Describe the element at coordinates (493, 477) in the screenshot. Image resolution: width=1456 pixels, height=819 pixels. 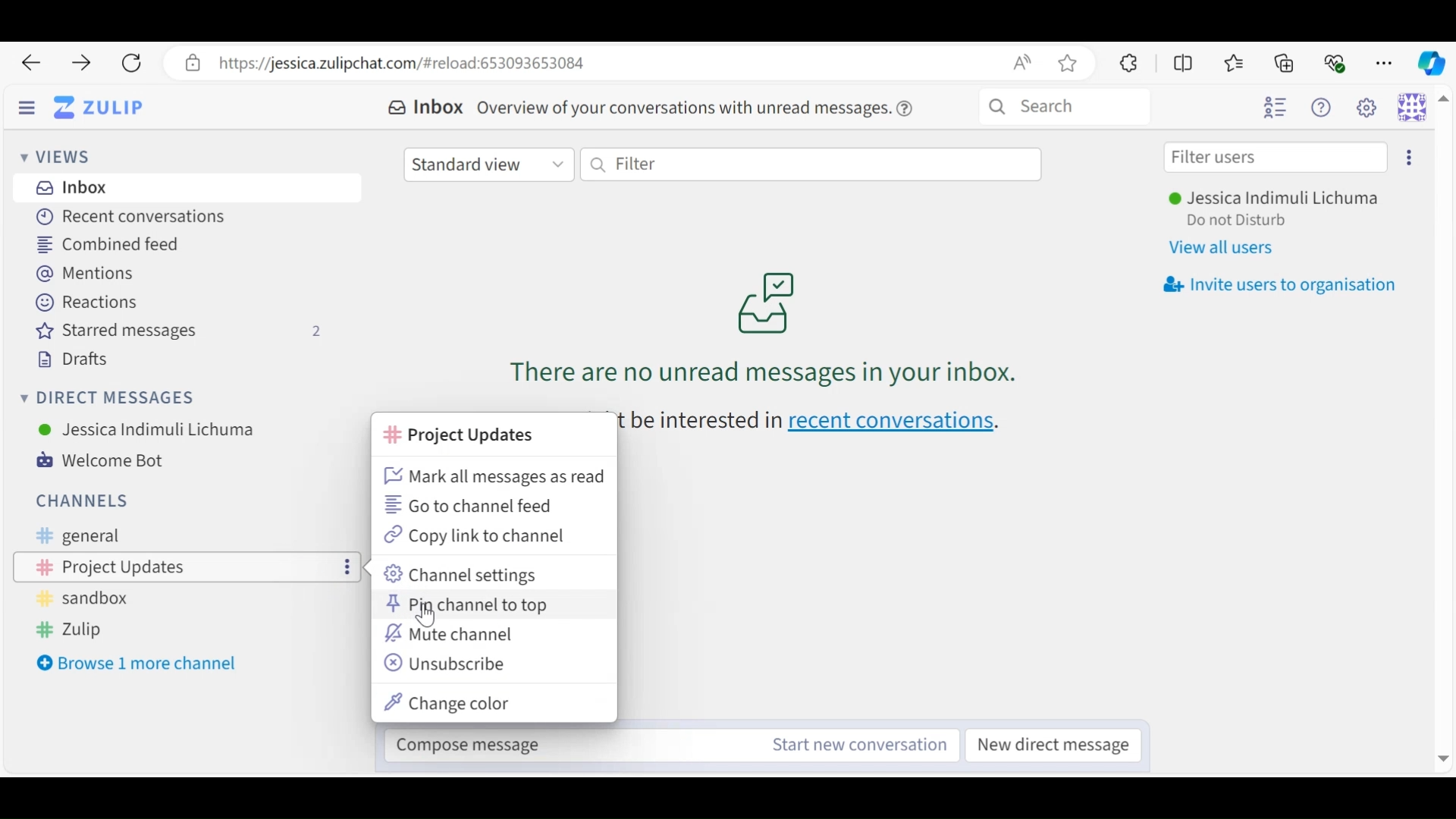
I see `Mark all messages as read` at that location.